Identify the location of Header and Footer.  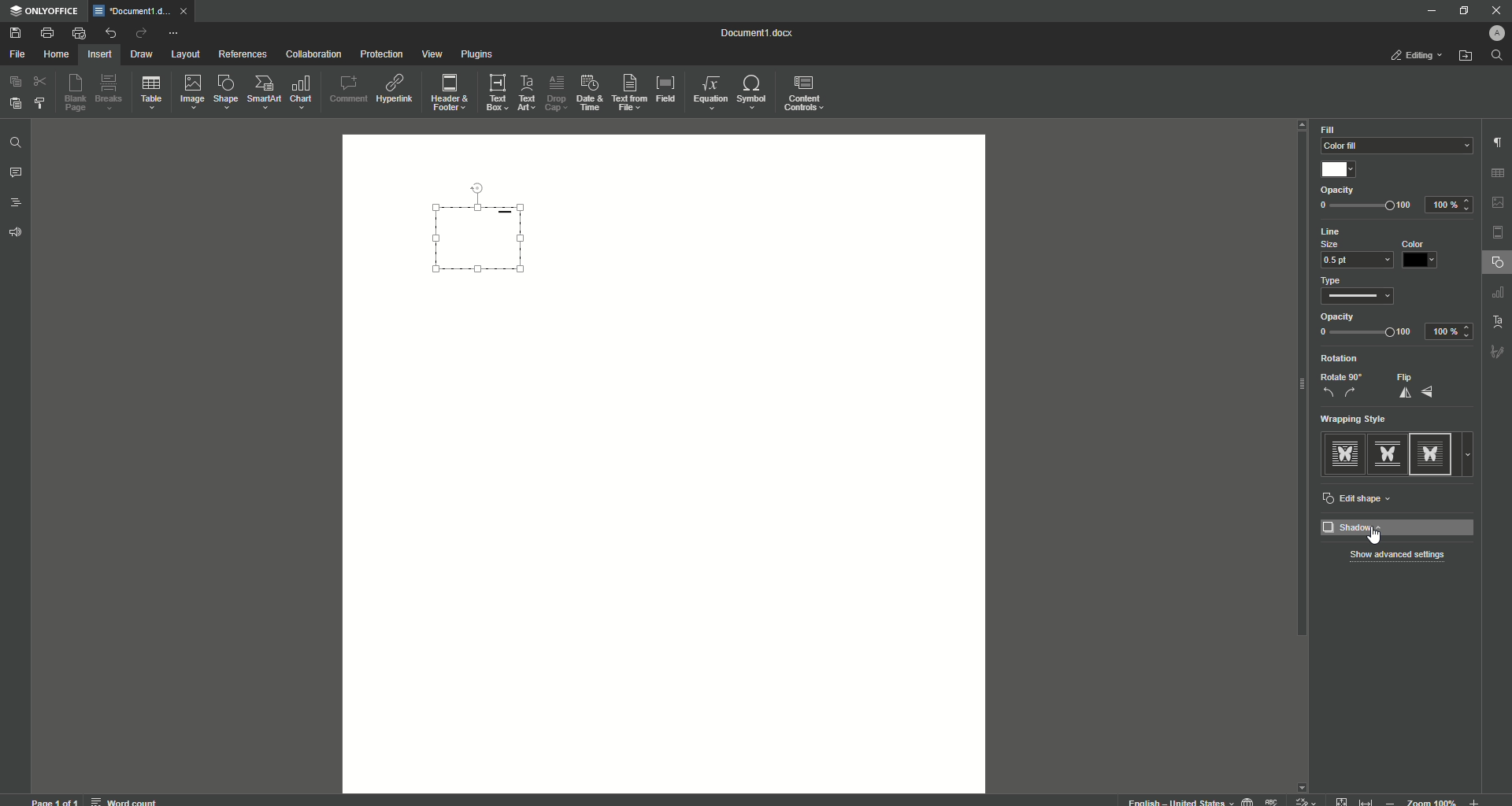
(448, 94).